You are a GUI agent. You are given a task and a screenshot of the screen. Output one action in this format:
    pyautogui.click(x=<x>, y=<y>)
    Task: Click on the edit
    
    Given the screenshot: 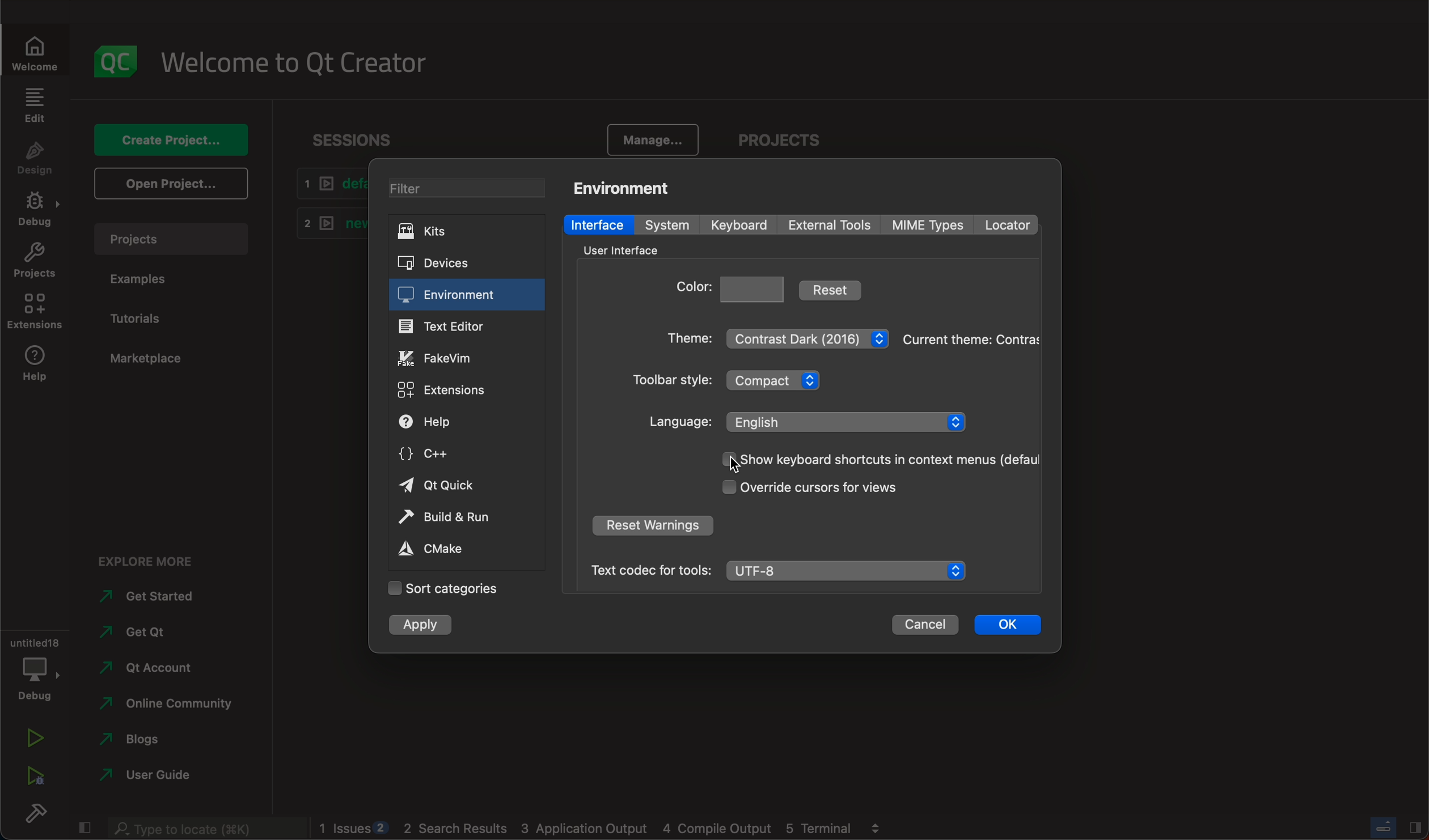 What is the action you would take?
    pyautogui.click(x=36, y=109)
    